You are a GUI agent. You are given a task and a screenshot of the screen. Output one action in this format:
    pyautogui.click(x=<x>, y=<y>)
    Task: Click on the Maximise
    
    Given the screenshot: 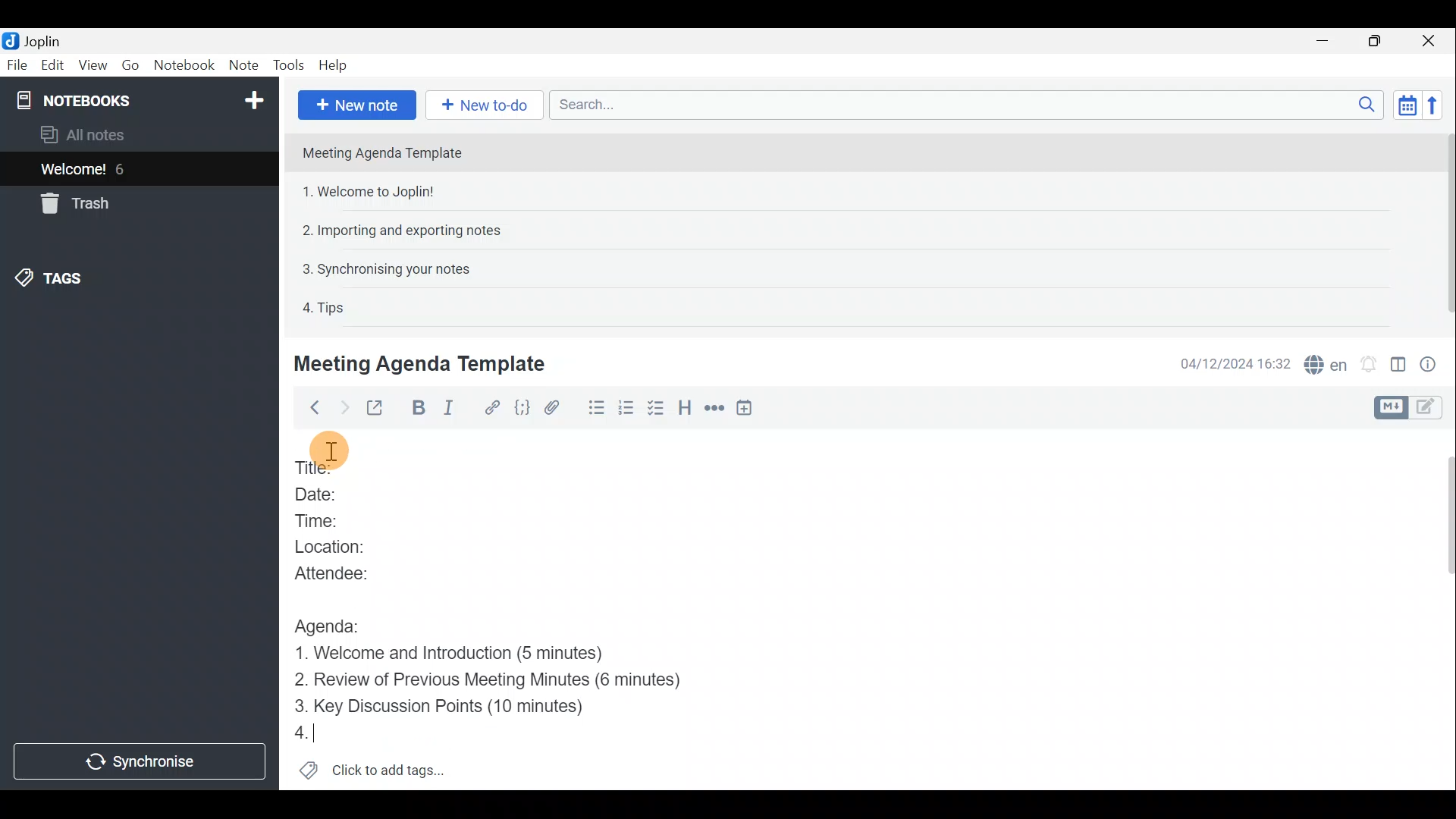 What is the action you would take?
    pyautogui.click(x=1376, y=42)
    